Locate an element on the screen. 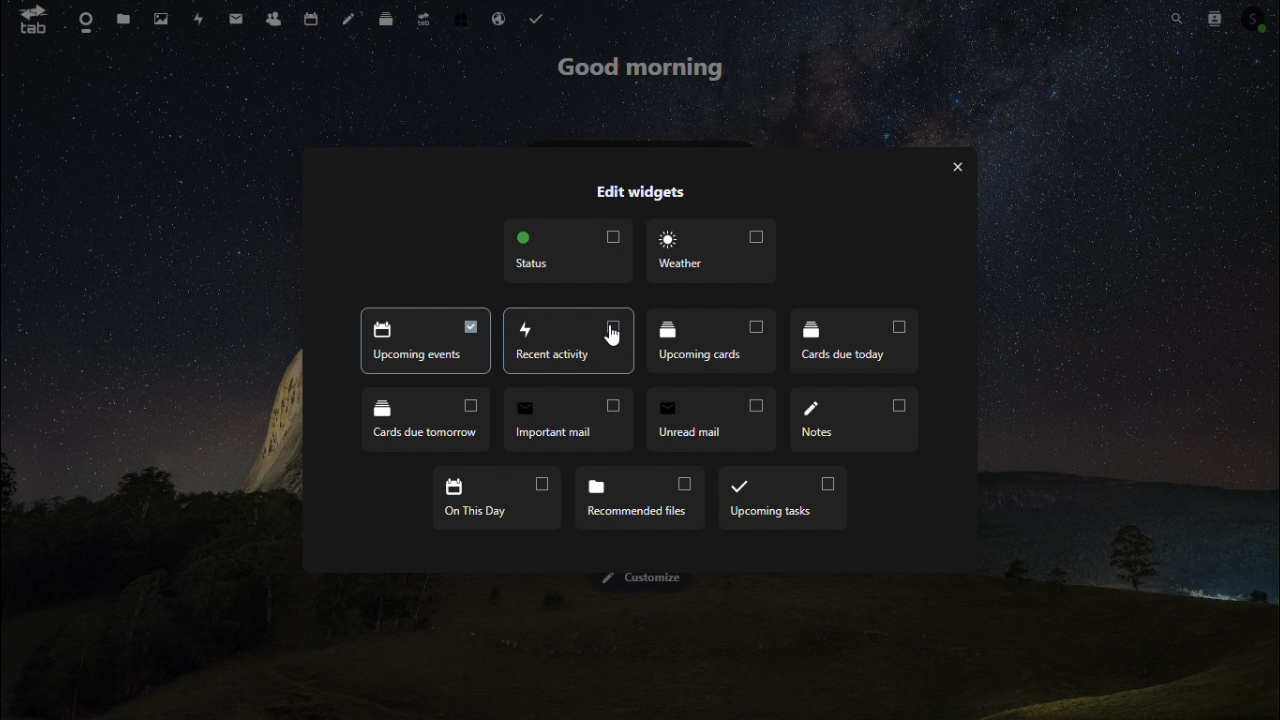 This screenshot has height=720, width=1280. unread email is located at coordinates (712, 419).